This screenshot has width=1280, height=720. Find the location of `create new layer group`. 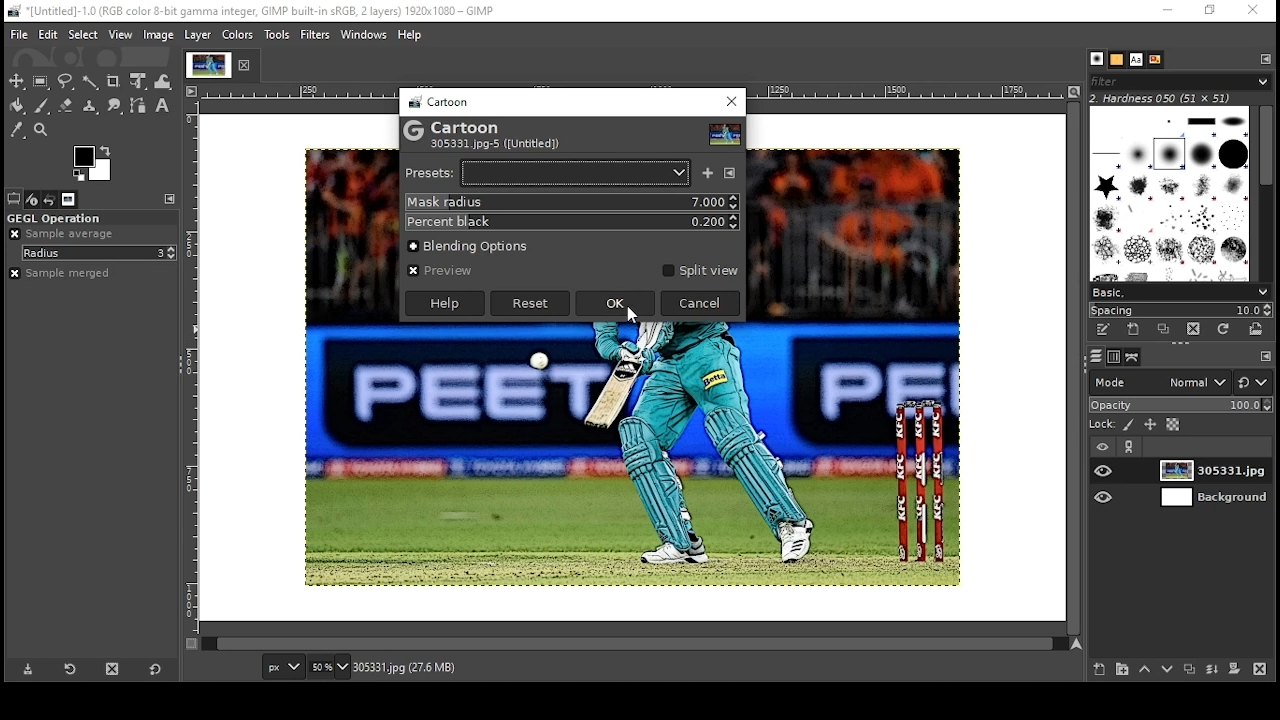

create new layer group is located at coordinates (1121, 669).